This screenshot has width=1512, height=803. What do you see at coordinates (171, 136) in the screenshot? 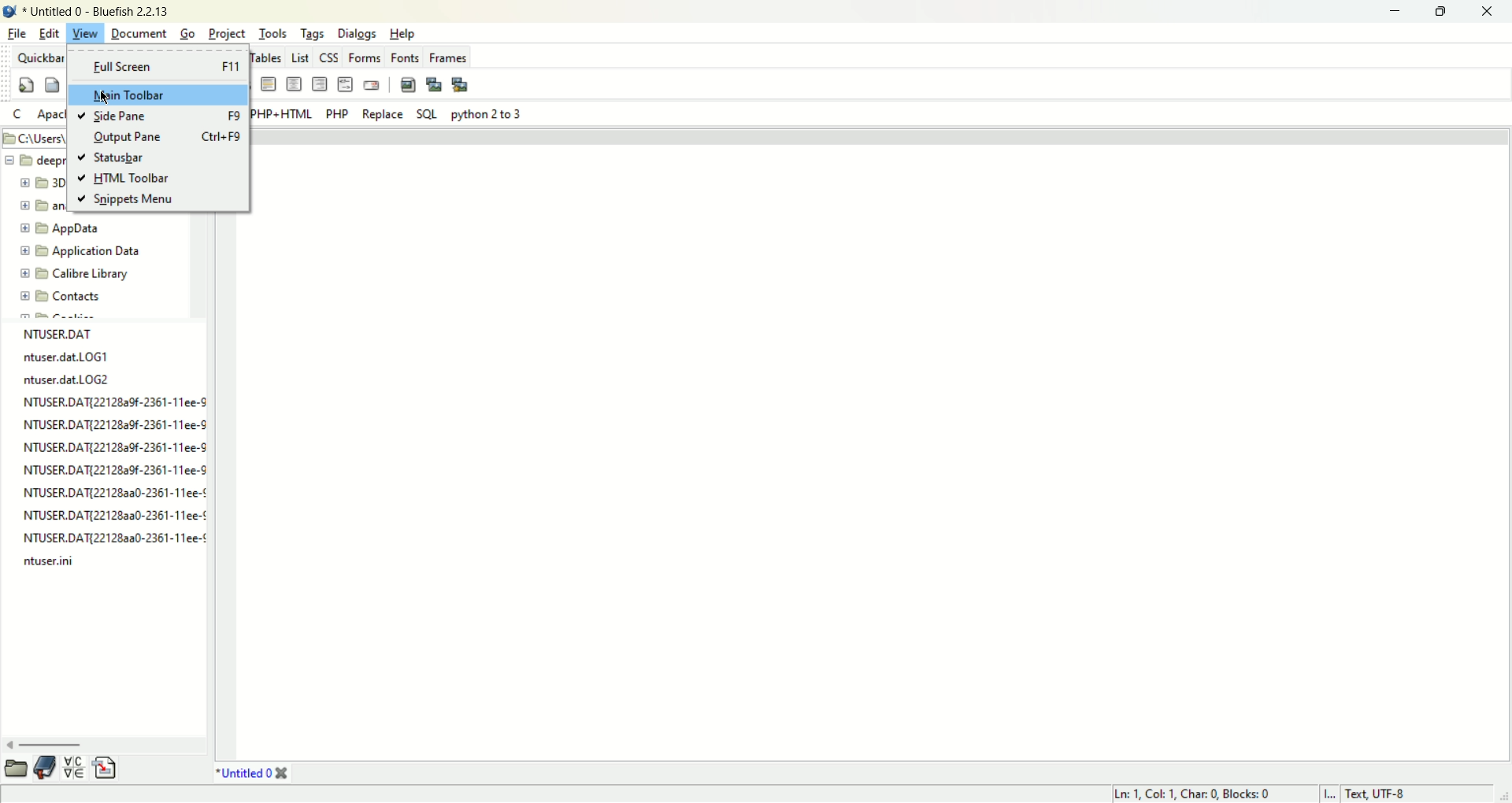
I see `output pane` at bounding box center [171, 136].